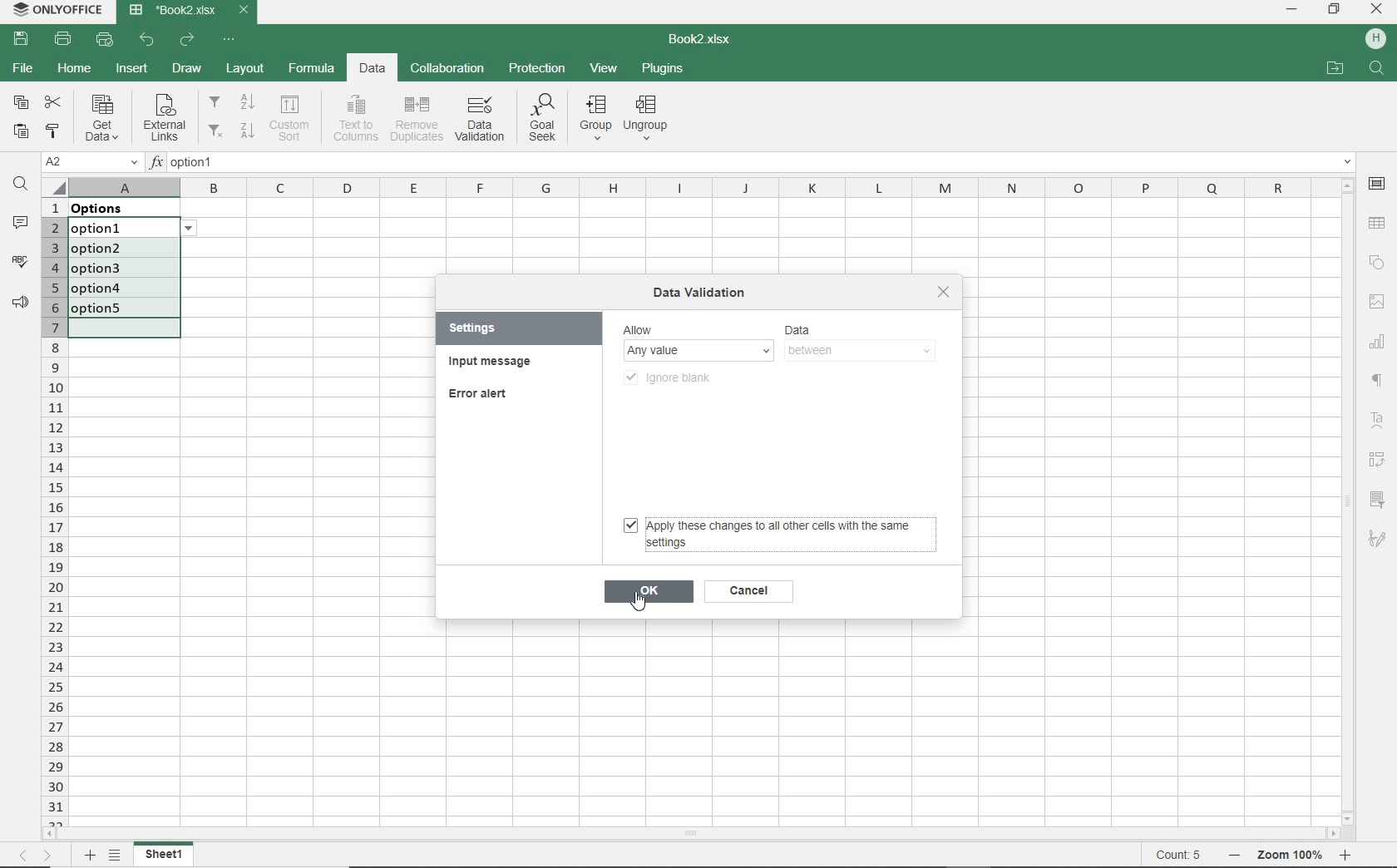 This screenshot has height=868, width=1397. What do you see at coordinates (700, 186) in the screenshot?
I see `COLUMNS` at bounding box center [700, 186].